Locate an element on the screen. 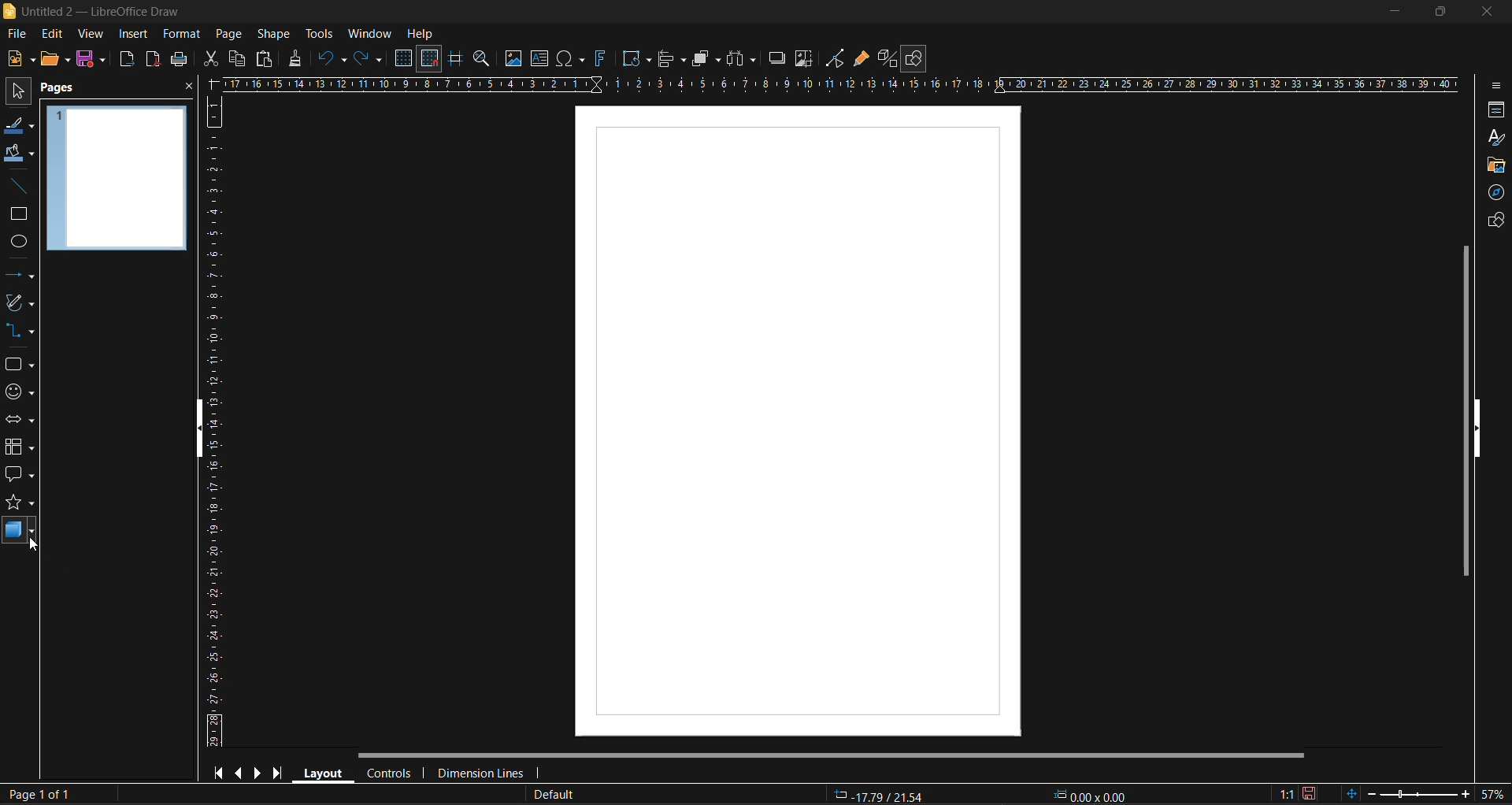  fill color is located at coordinates (19, 154).